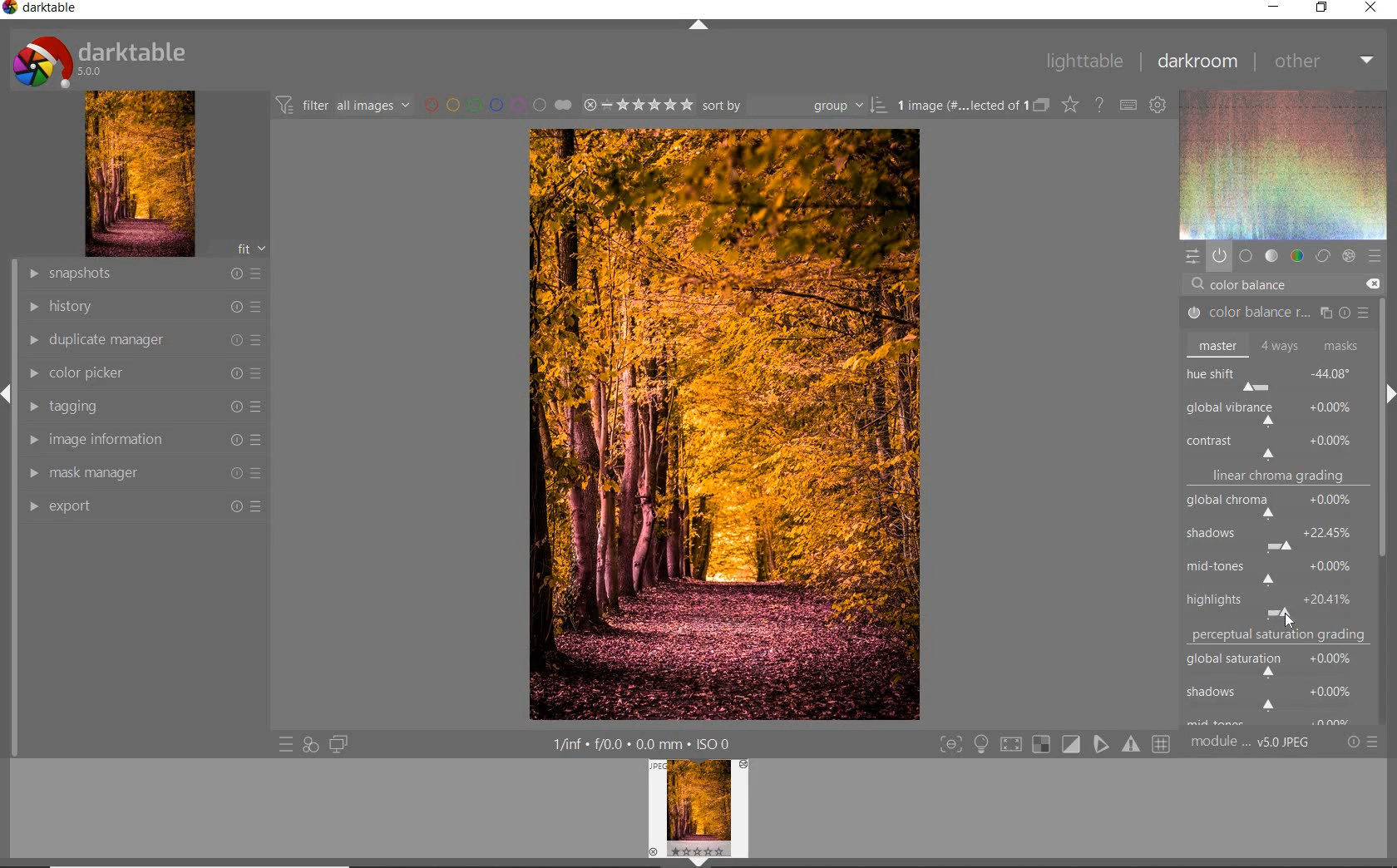 This screenshot has height=868, width=1397. I want to click on quick access for applying any style, so click(311, 745).